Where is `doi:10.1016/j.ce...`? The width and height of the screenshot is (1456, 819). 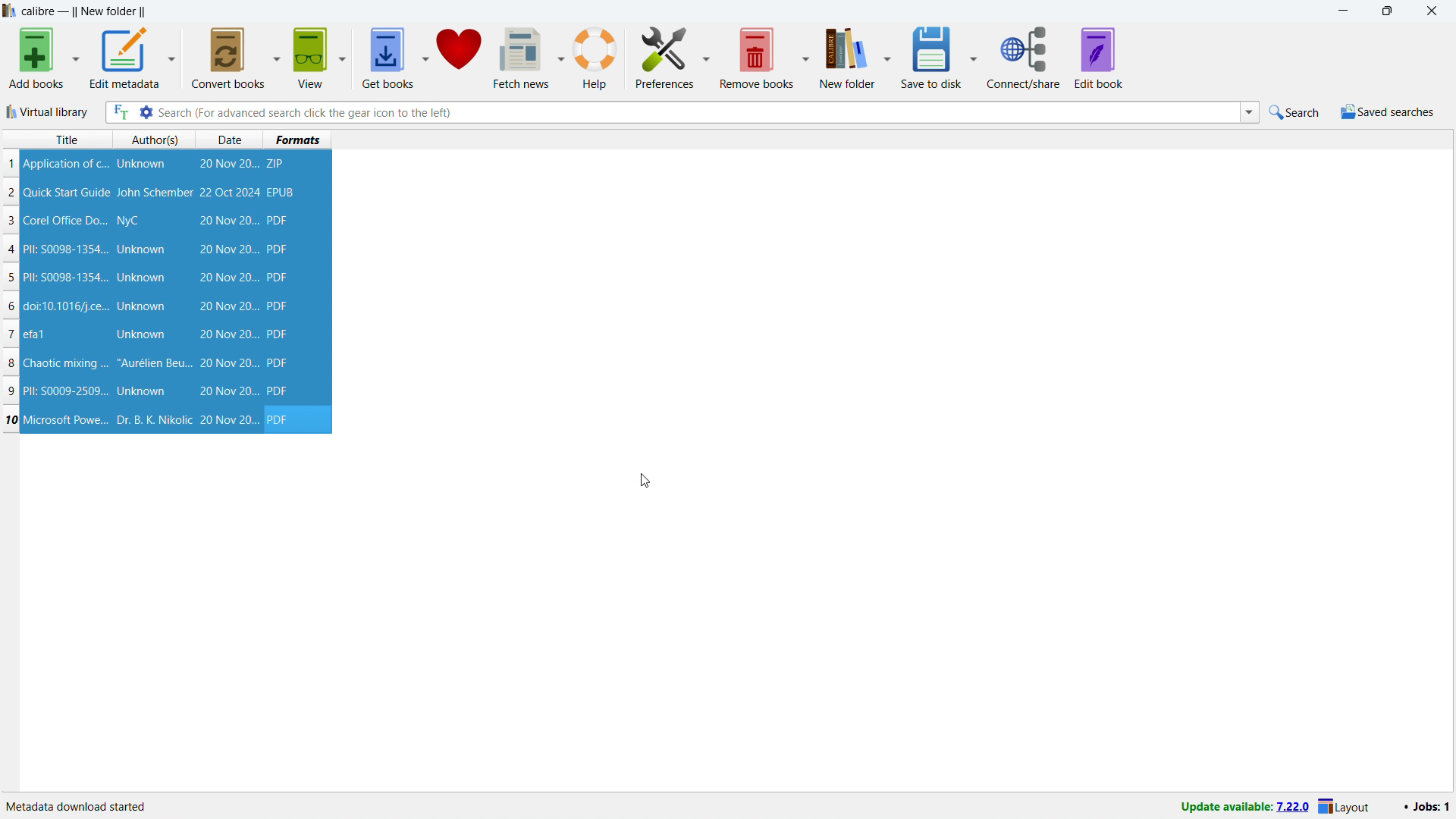
doi:10.1016/j.ce... is located at coordinates (68, 306).